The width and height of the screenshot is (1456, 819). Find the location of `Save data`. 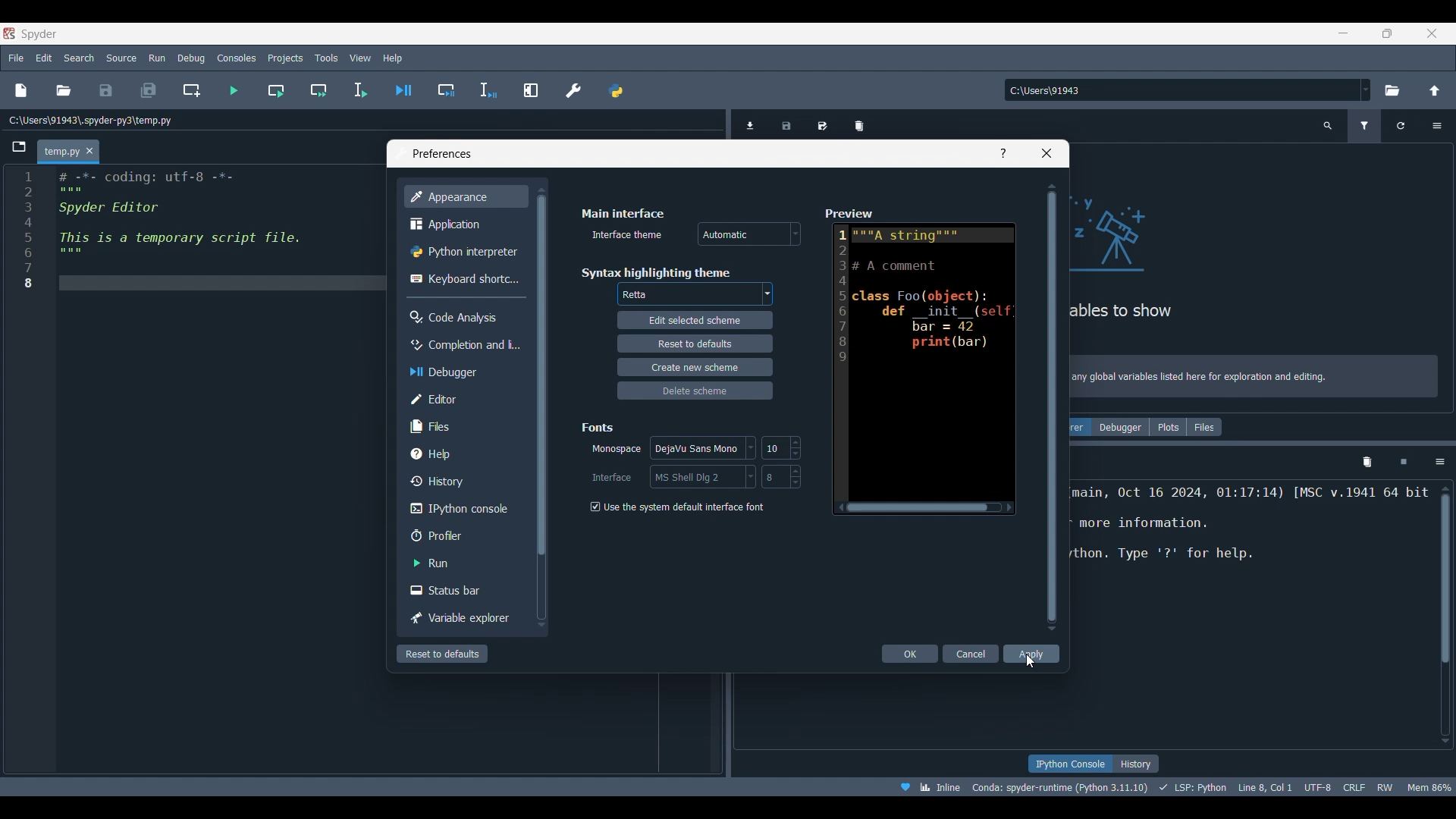

Save data is located at coordinates (787, 123).